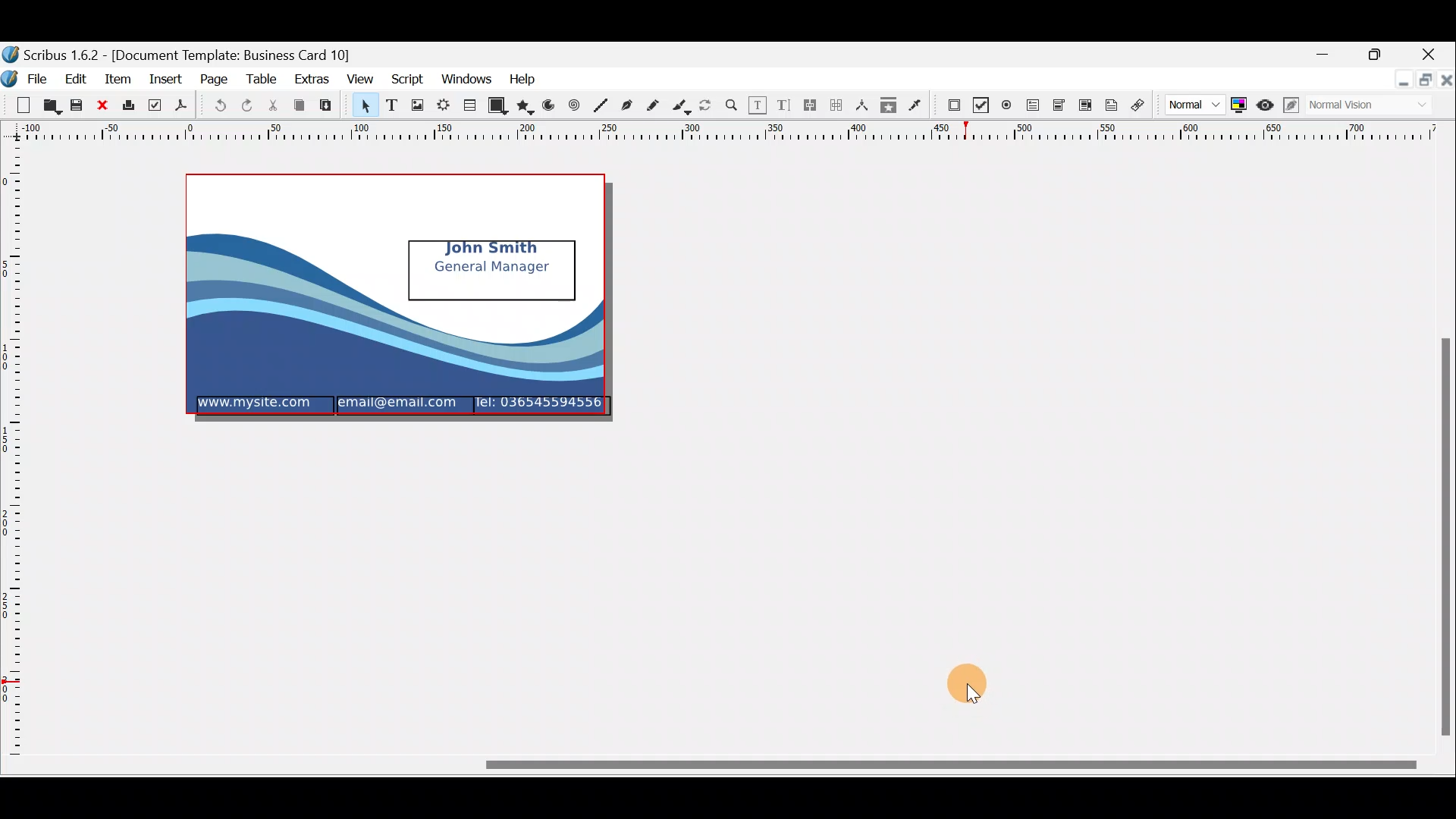 This screenshot has width=1456, height=819. What do you see at coordinates (953, 105) in the screenshot?
I see `PDF Push button` at bounding box center [953, 105].